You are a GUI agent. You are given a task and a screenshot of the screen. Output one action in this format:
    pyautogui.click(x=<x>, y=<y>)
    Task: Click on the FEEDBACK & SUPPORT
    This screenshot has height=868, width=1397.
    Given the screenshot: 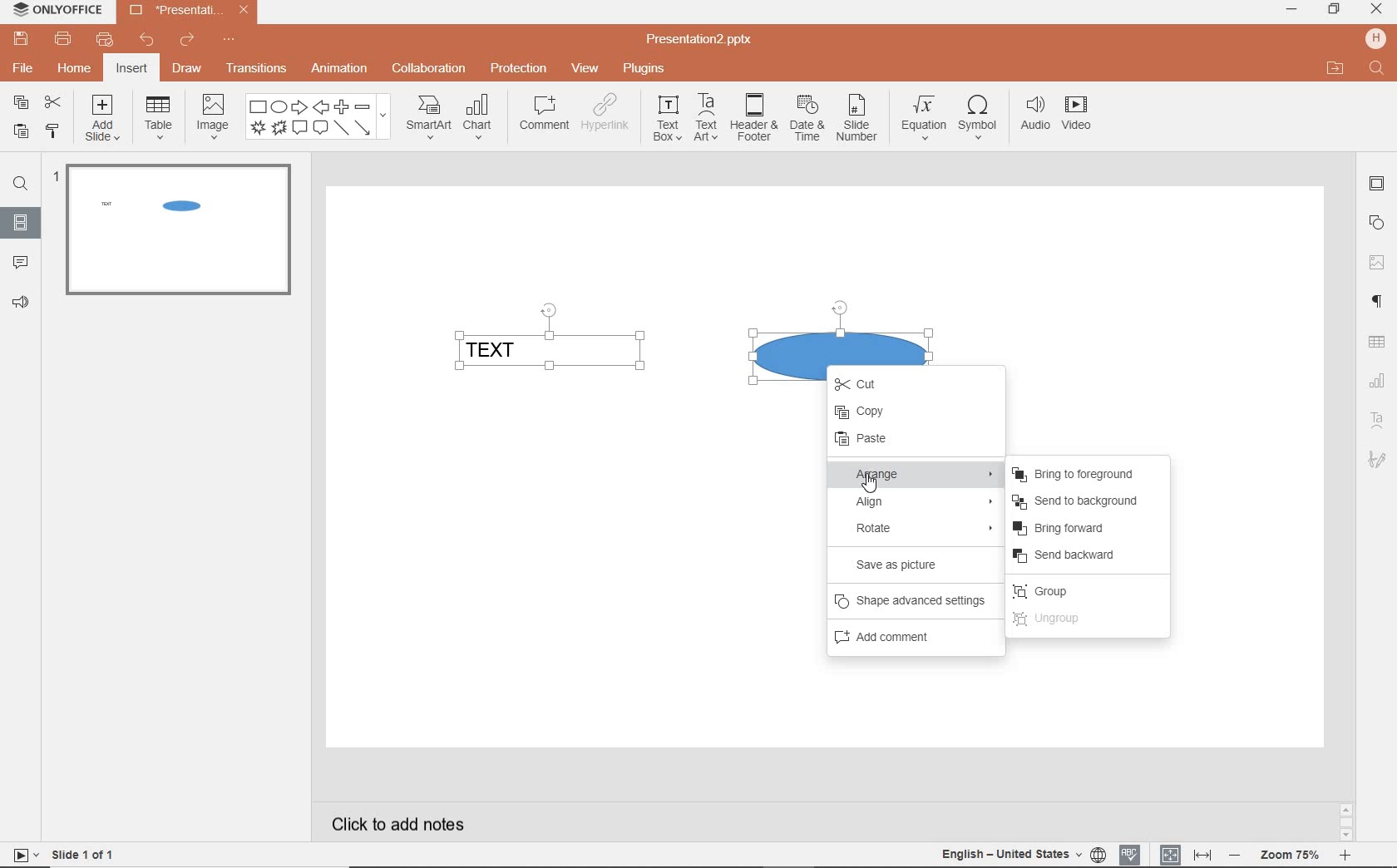 What is the action you would take?
    pyautogui.click(x=20, y=302)
    